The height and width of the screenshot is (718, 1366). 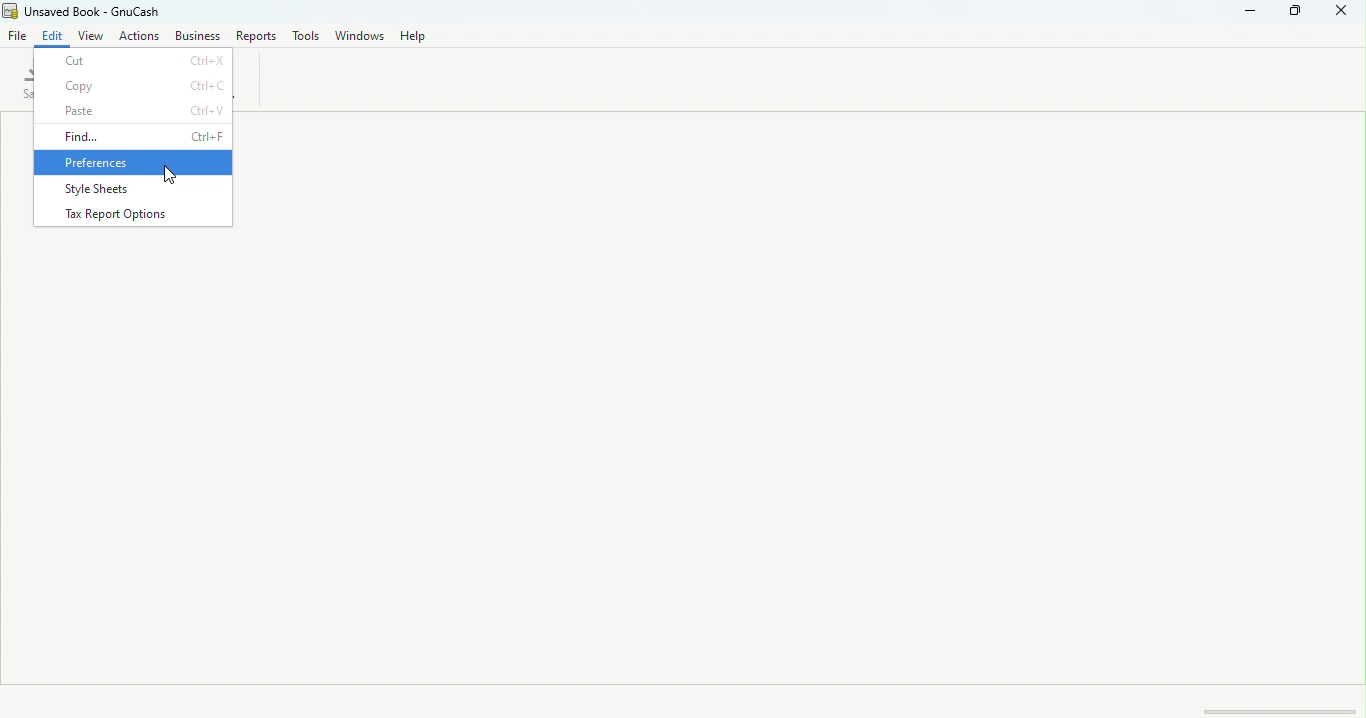 What do you see at coordinates (135, 62) in the screenshot?
I see `Cut` at bounding box center [135, 62].